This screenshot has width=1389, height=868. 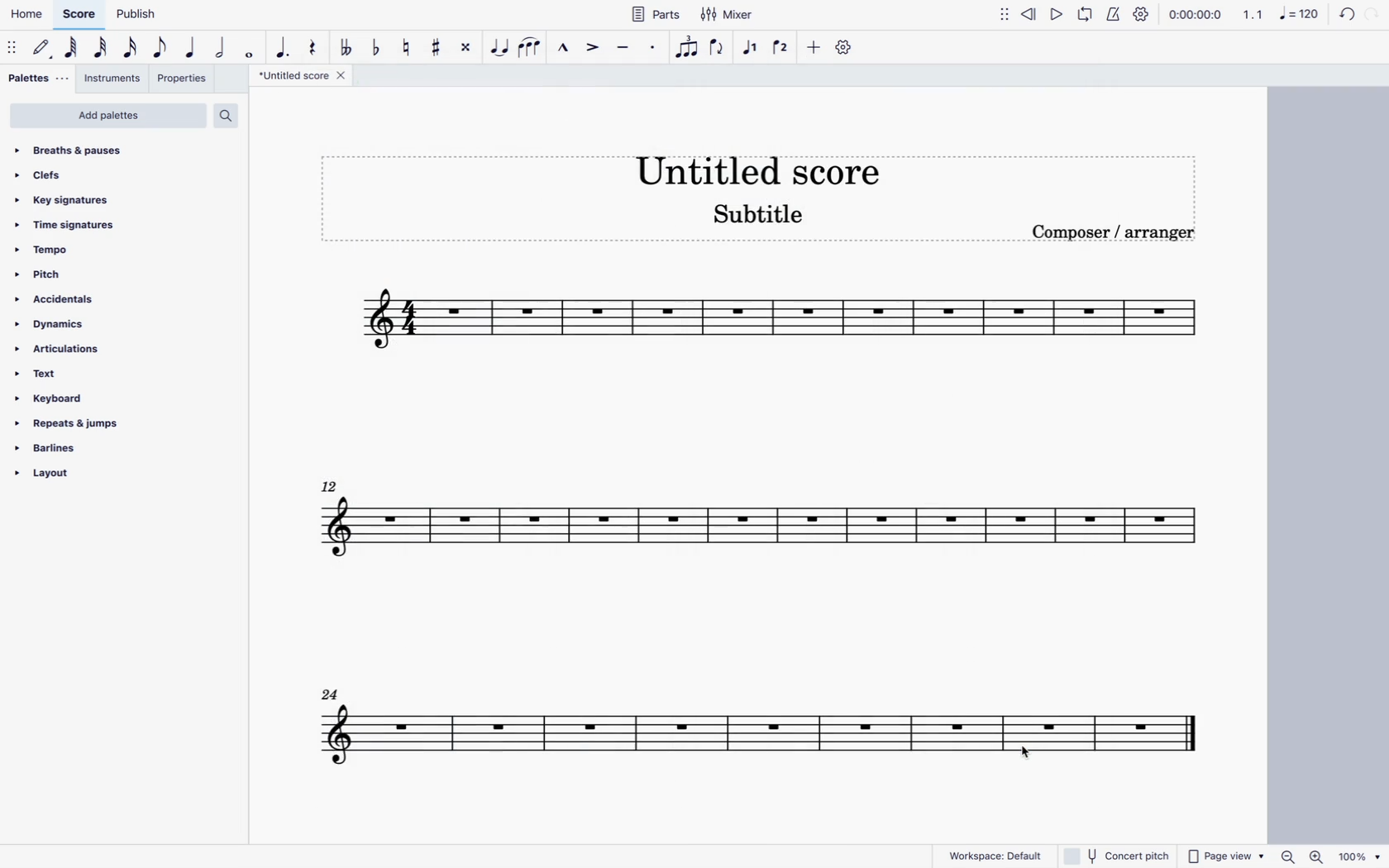 I want to click on Setting, so click(x=1148, y=14).